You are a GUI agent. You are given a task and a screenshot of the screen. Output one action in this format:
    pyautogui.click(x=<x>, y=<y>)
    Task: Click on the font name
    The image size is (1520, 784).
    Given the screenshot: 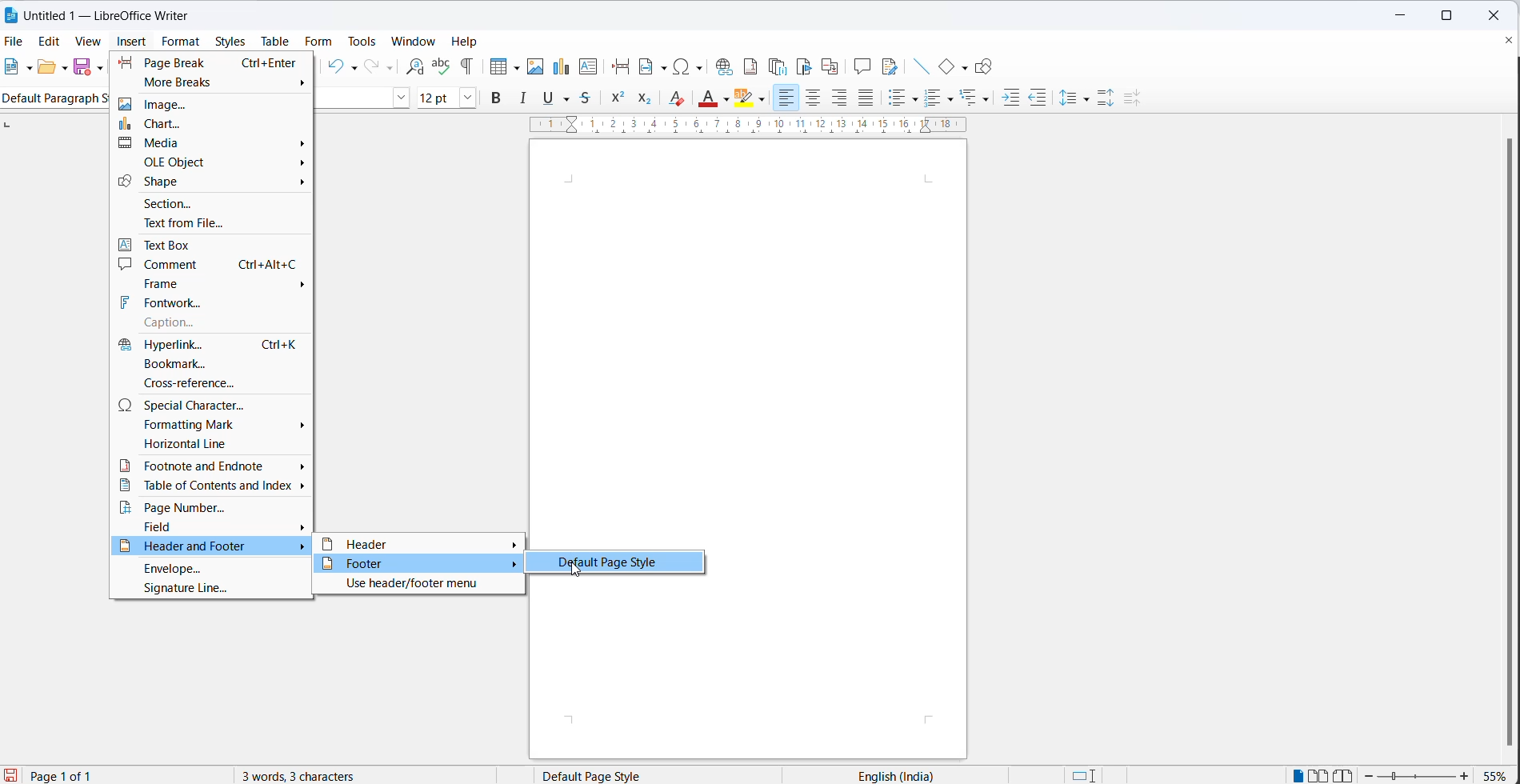 What is the action you would take?
    pyautogui.click(x=352, y=98)
    